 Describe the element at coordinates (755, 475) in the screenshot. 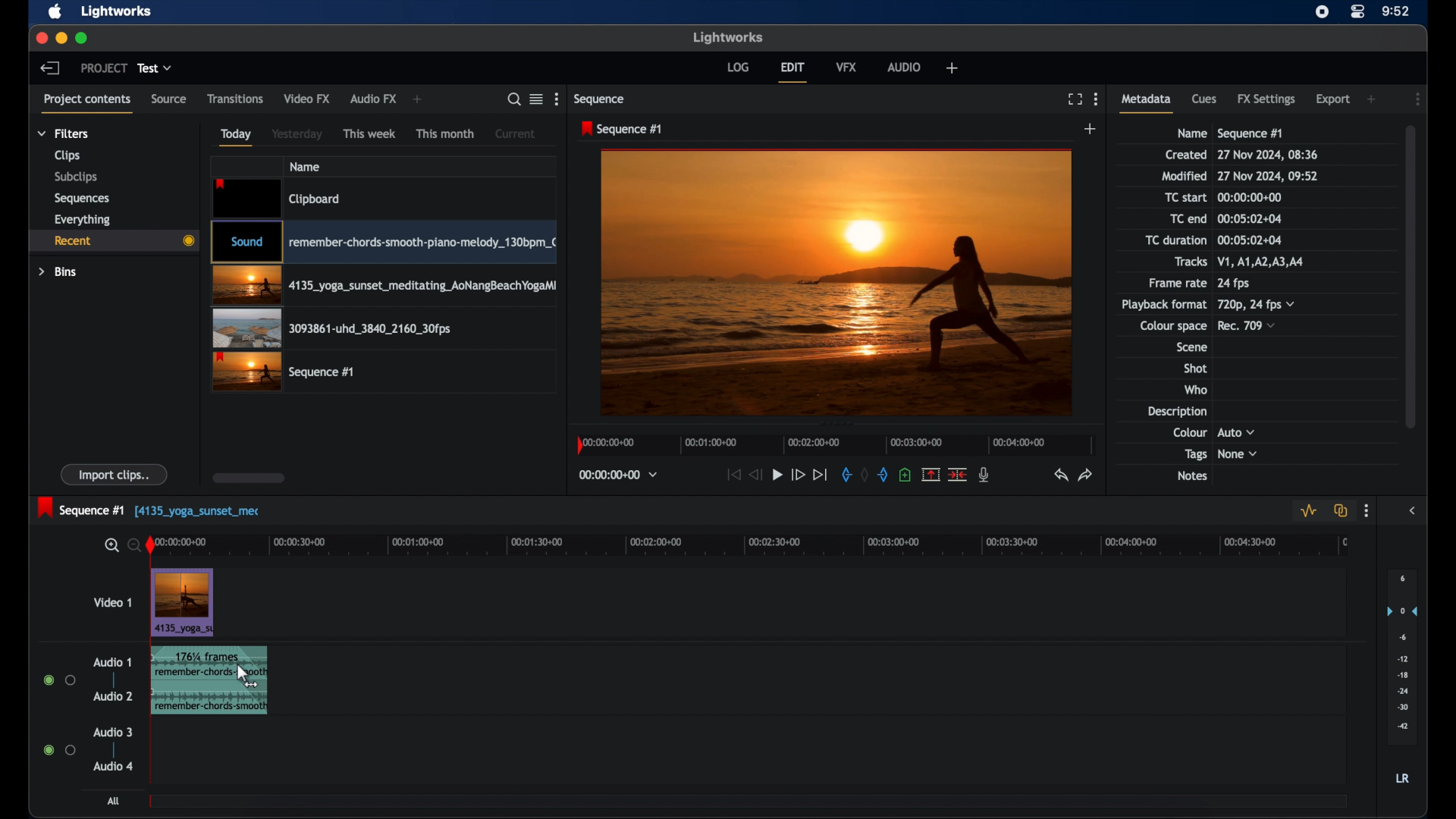

I see `rewind` at that location.